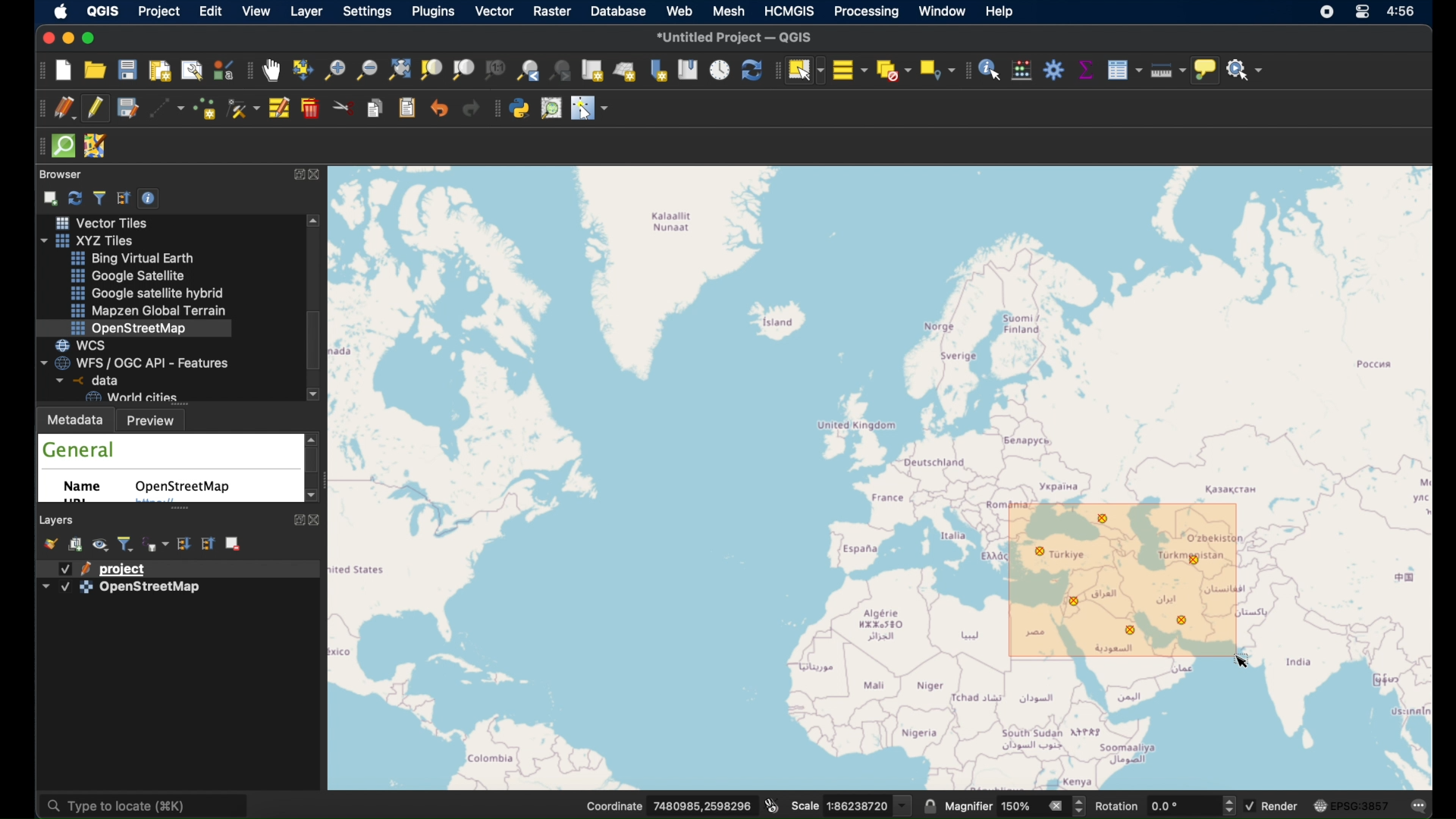  What do you see at coordinates (689, 70) in the screenshot?
I see `show spatial bookmarks` at bounding box center [689, 70].